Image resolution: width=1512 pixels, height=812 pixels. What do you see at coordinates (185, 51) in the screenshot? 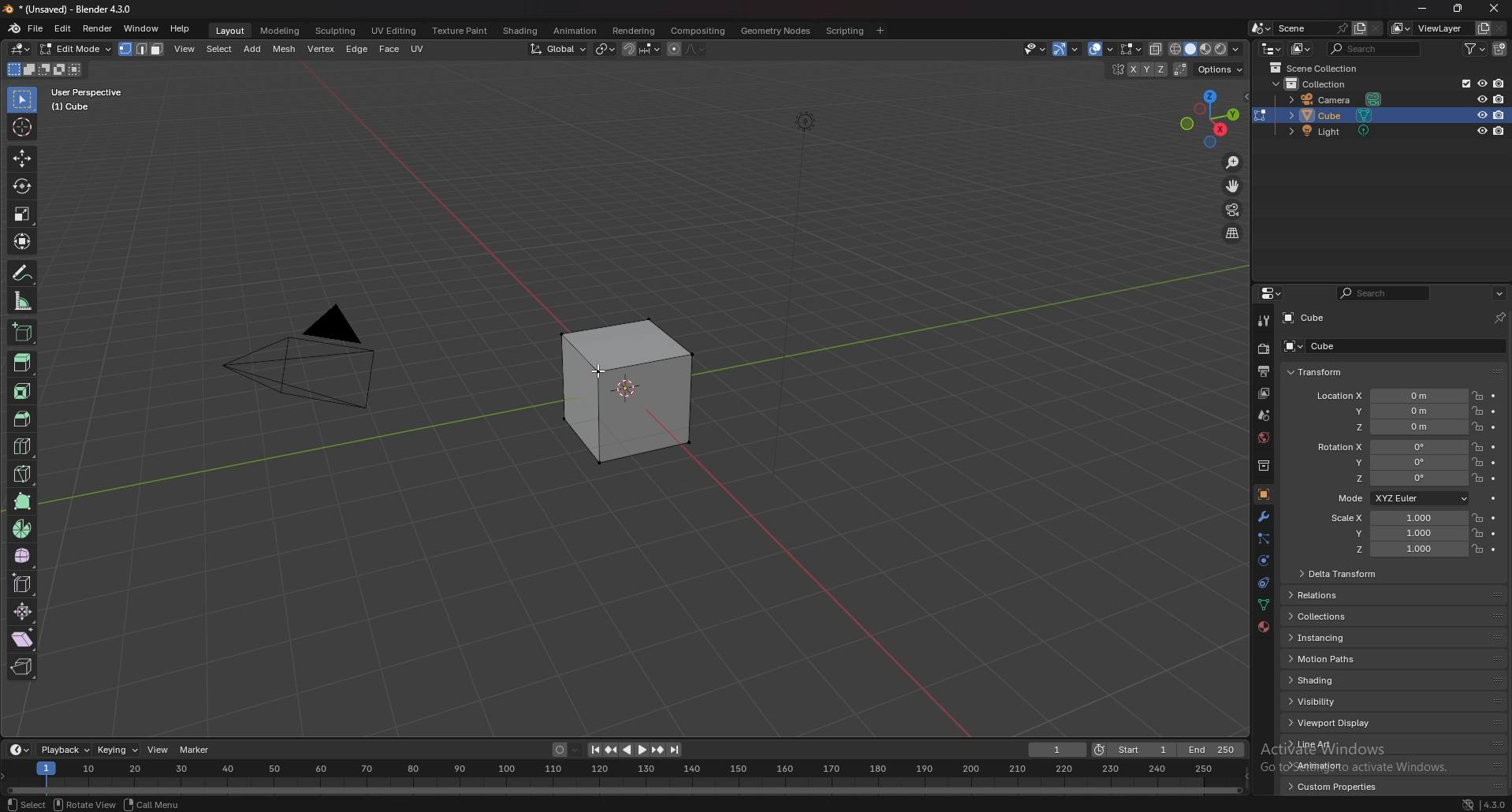
I see `view` at bounding box center [185, 51].